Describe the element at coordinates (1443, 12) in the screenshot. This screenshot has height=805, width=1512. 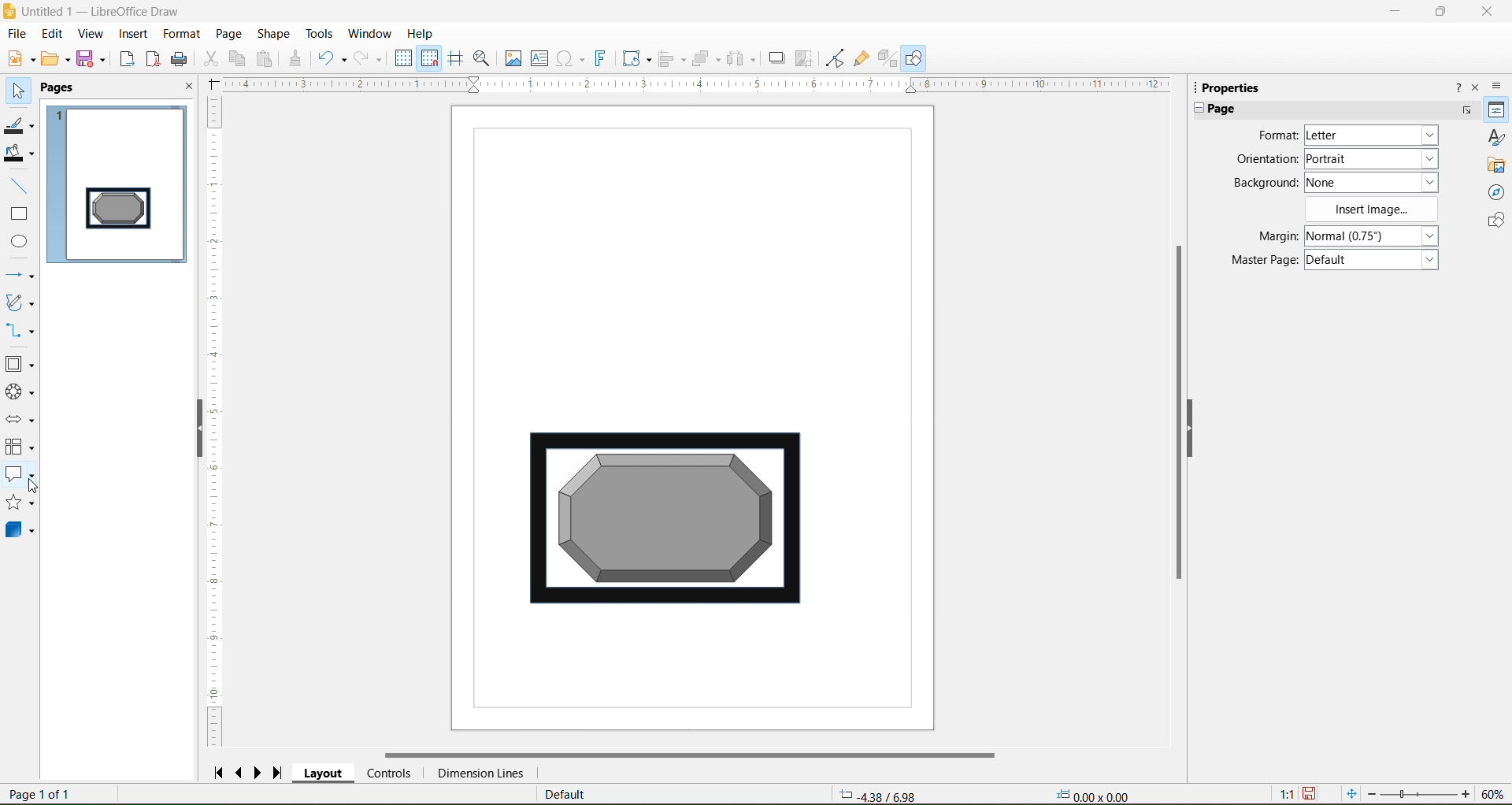
I see `Restore down` at that location.